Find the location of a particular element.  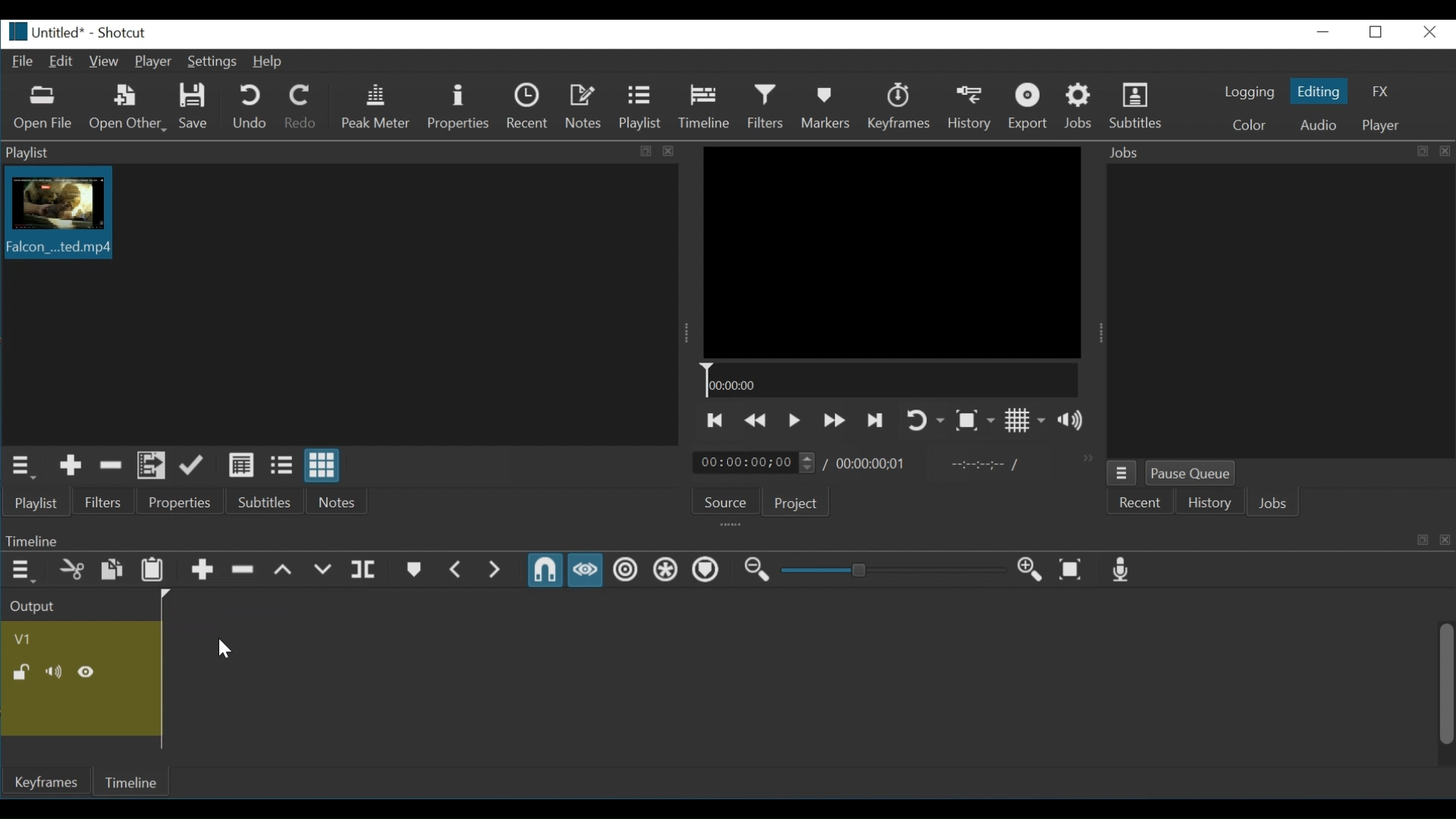

Next Marker is located at coordinates (497, 570).